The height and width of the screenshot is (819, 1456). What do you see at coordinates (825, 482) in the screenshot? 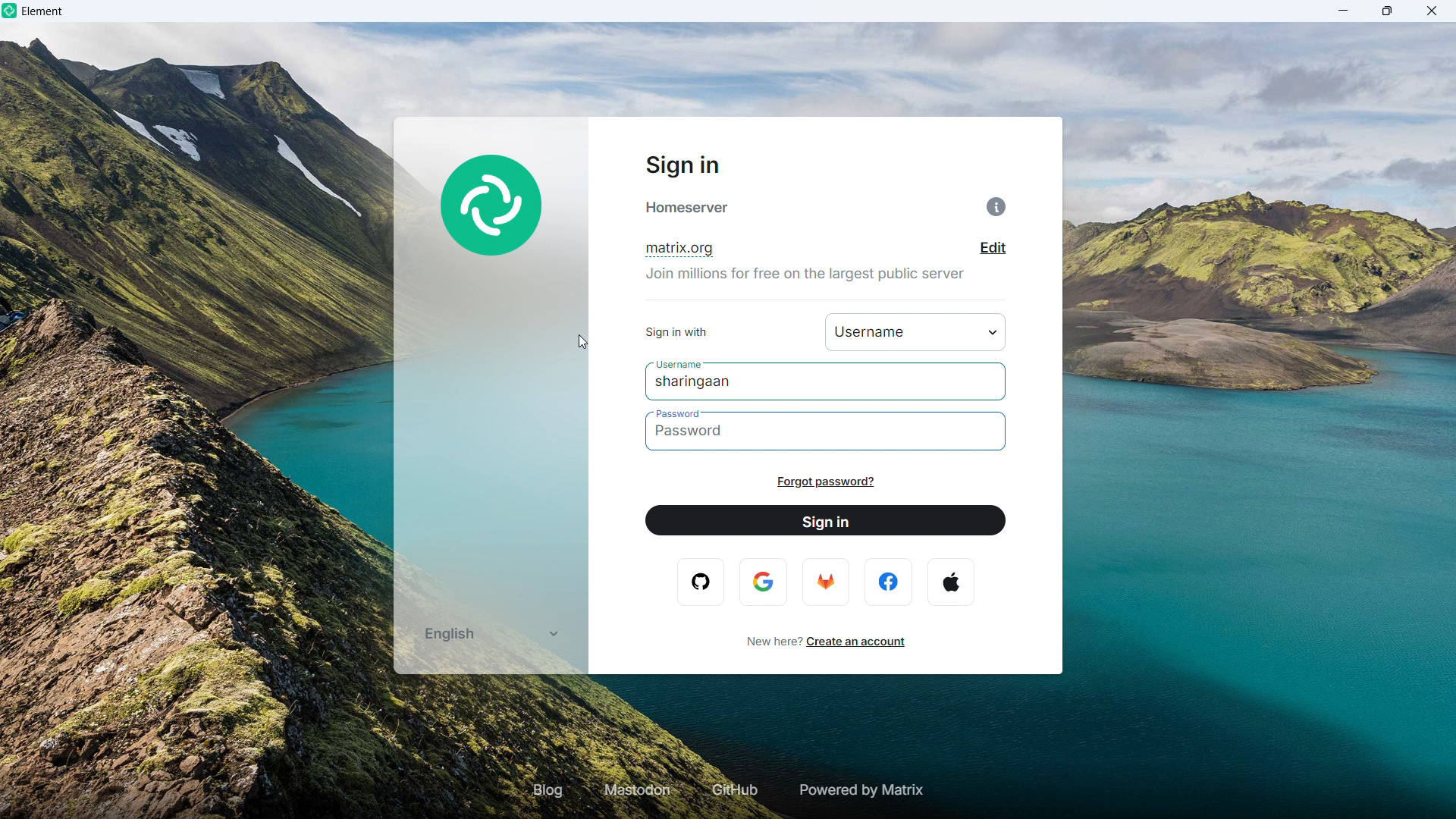
I see `Forgot password ` at bounding box center [825, 482].